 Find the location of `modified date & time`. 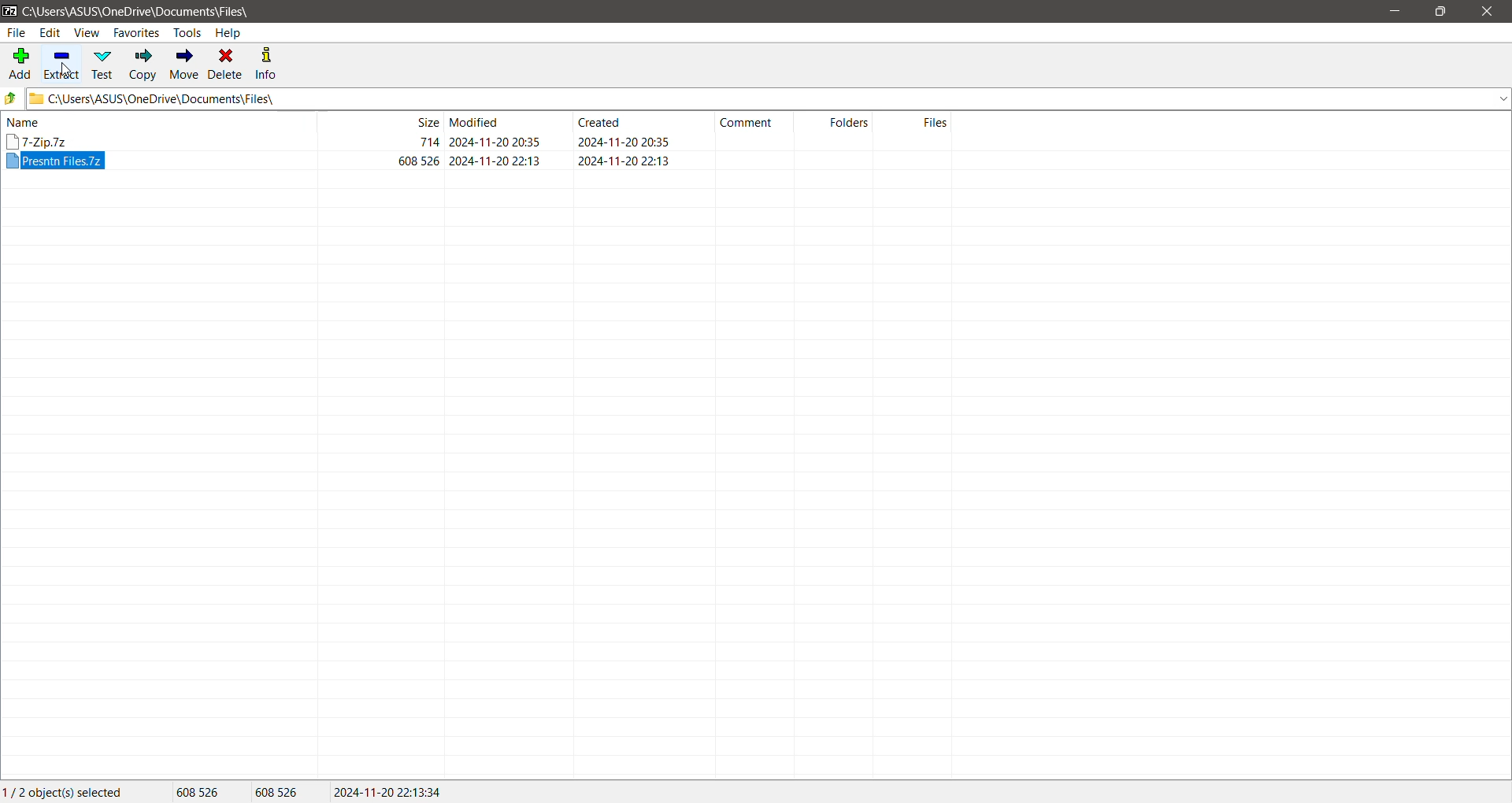

modified date & time is located at coordinates (495, 142).